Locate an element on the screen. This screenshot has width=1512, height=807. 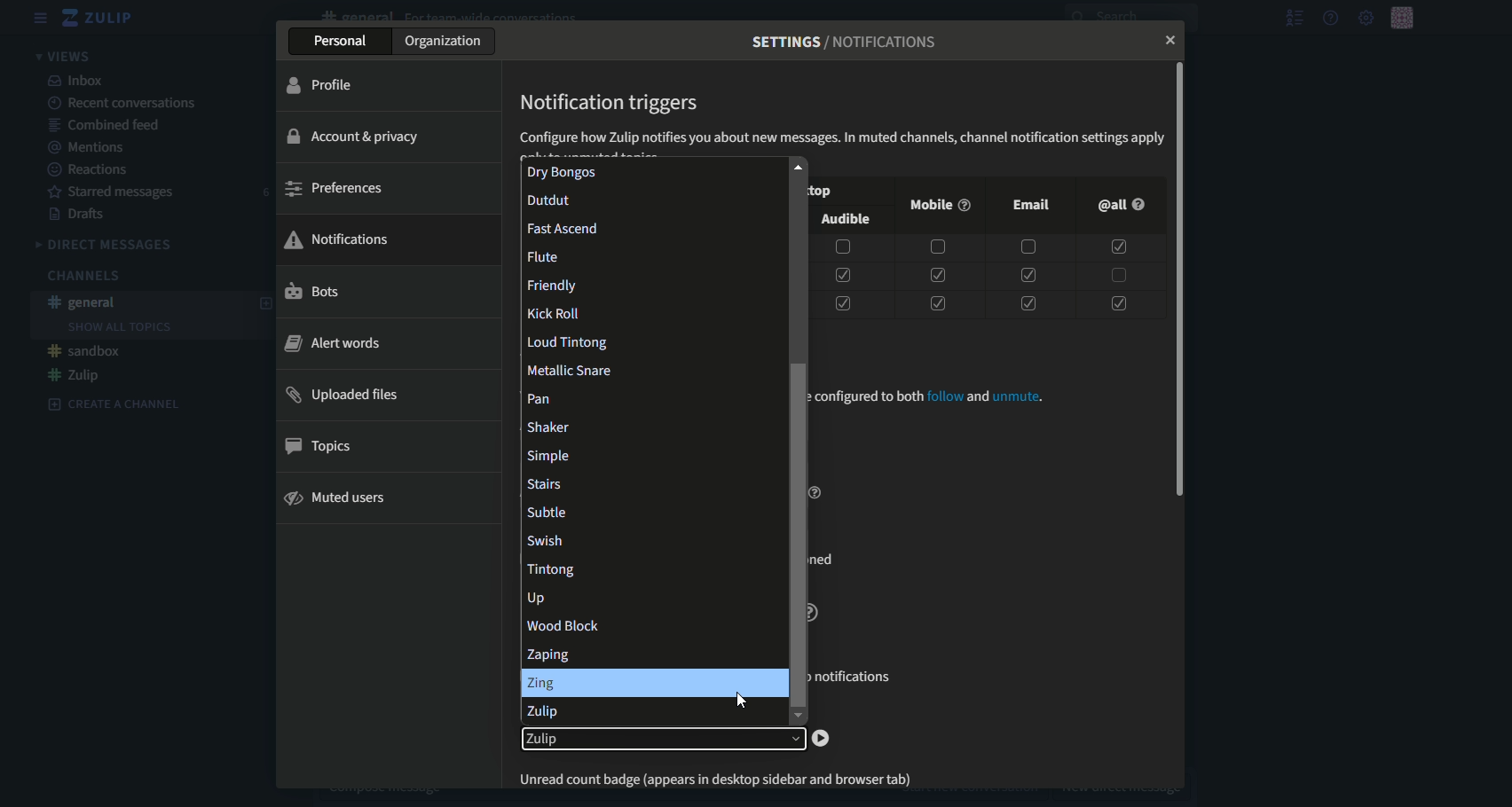
Create a channel is located at coordinates (114, 403).